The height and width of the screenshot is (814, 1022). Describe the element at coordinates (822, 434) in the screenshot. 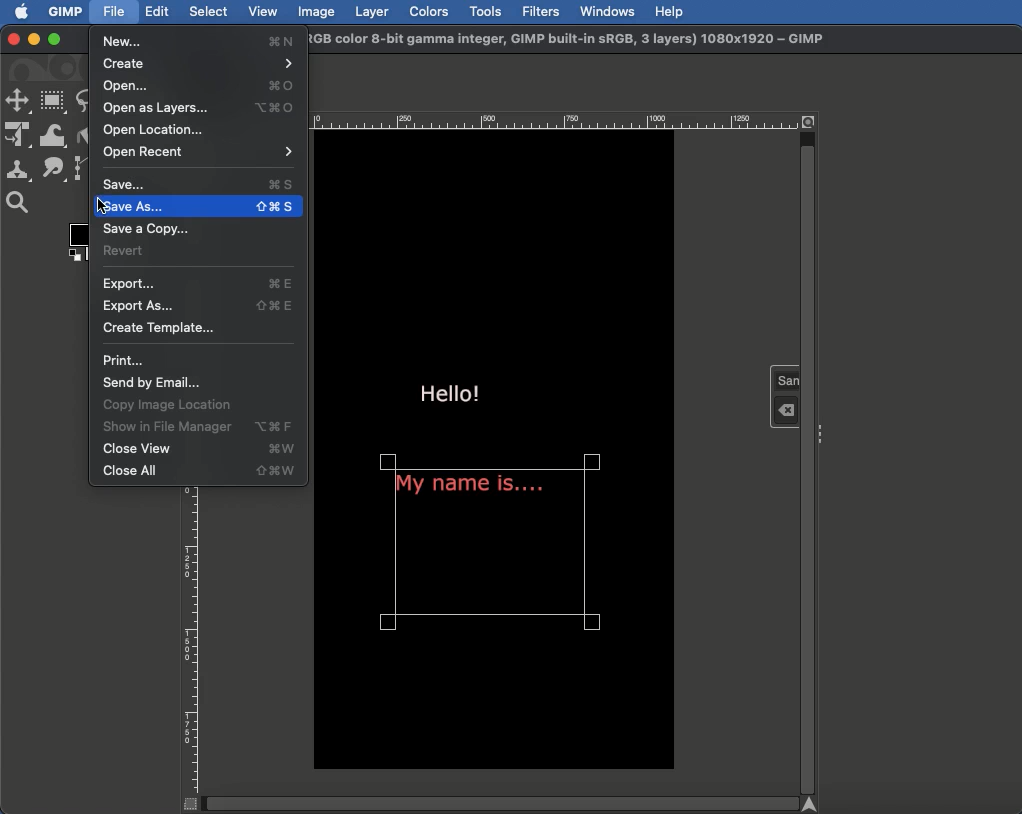

I see `Options` at that location.